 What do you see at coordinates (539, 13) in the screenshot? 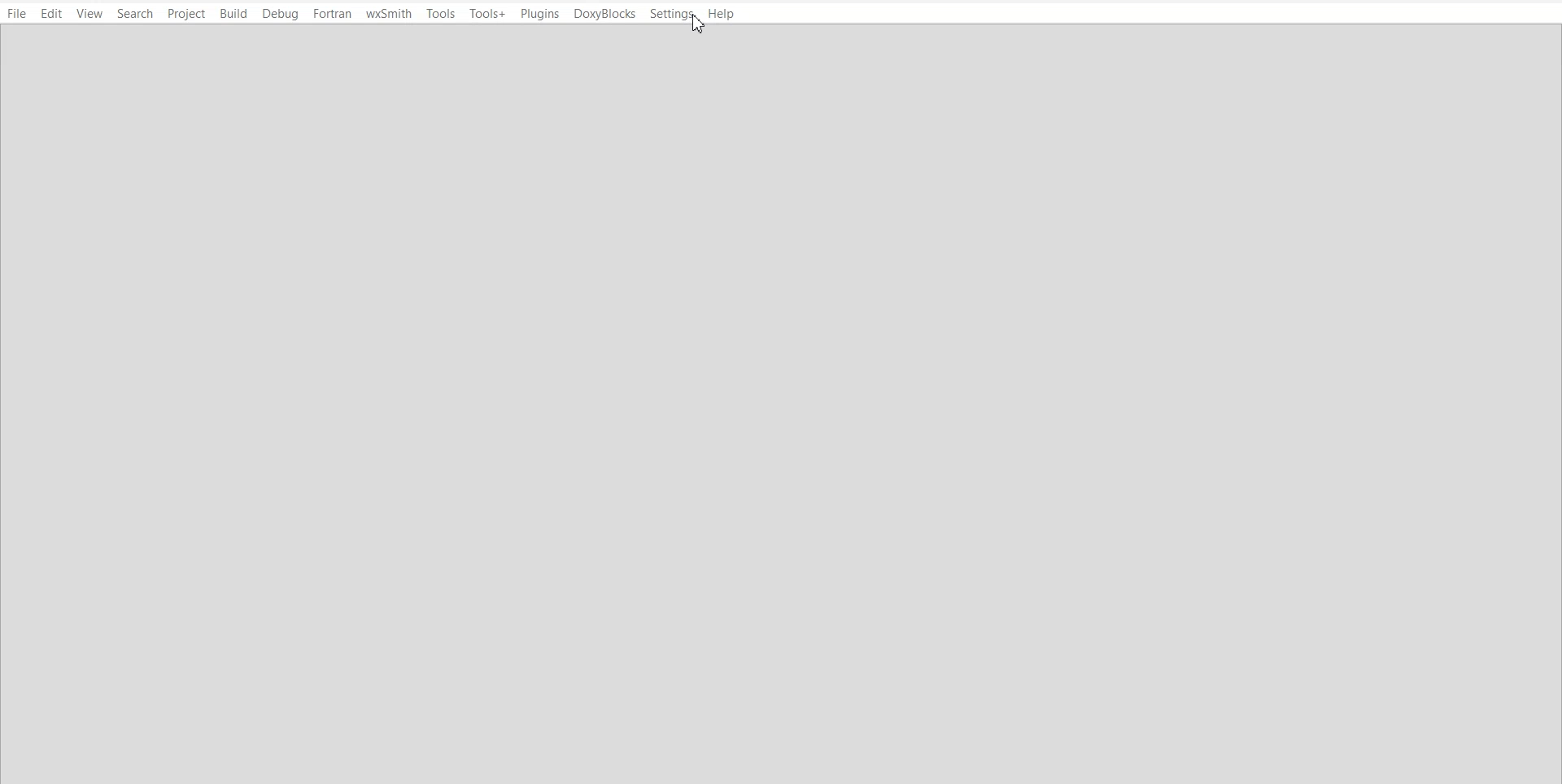
I see `Plugins` at bounding box center [539, 13].